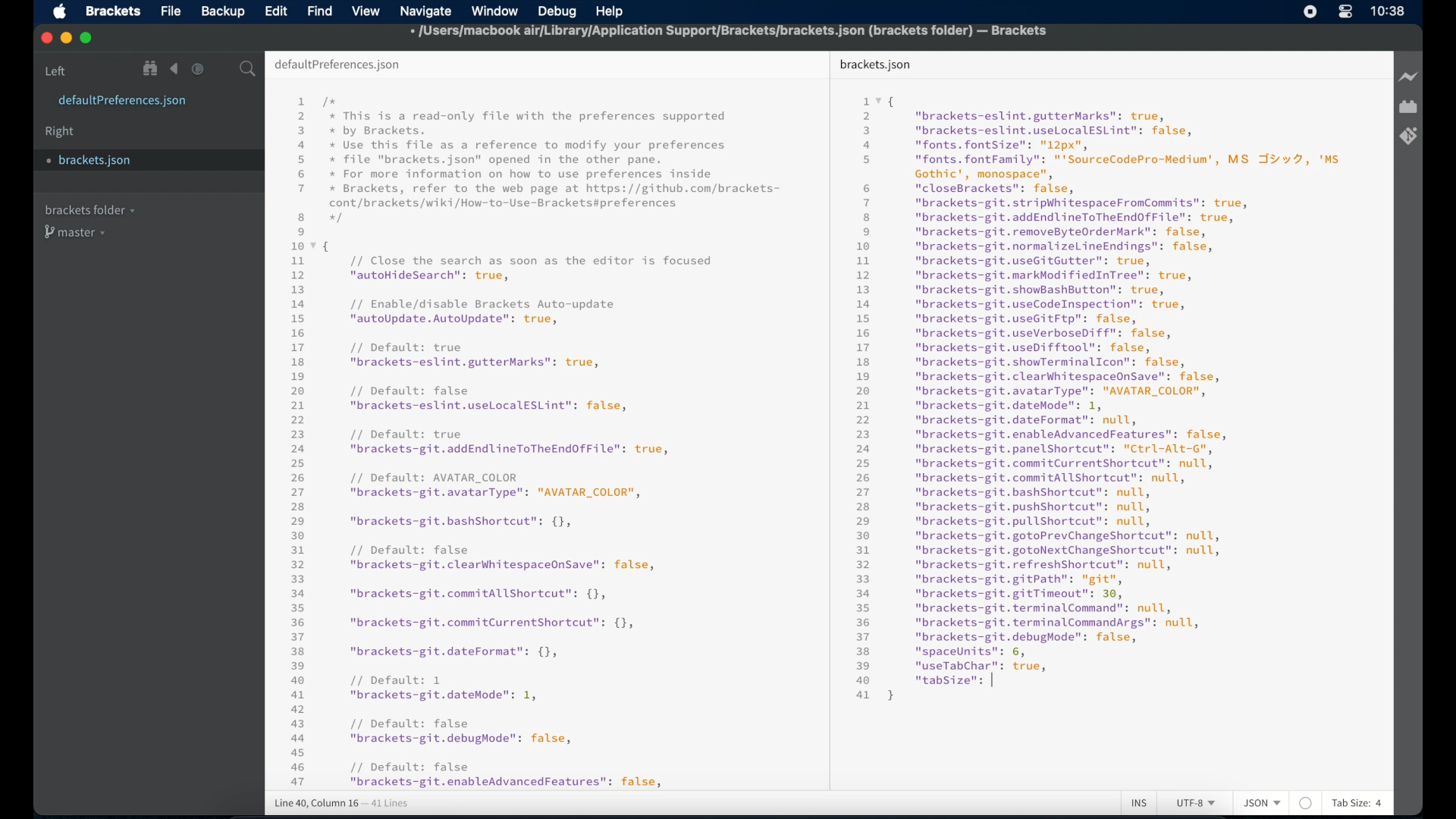 The width and height of the screenshot is (1456, 819). What do you see at coordinates (87, 39) in the screenshot?
I see `maximize` at bounding box center [87, 39].